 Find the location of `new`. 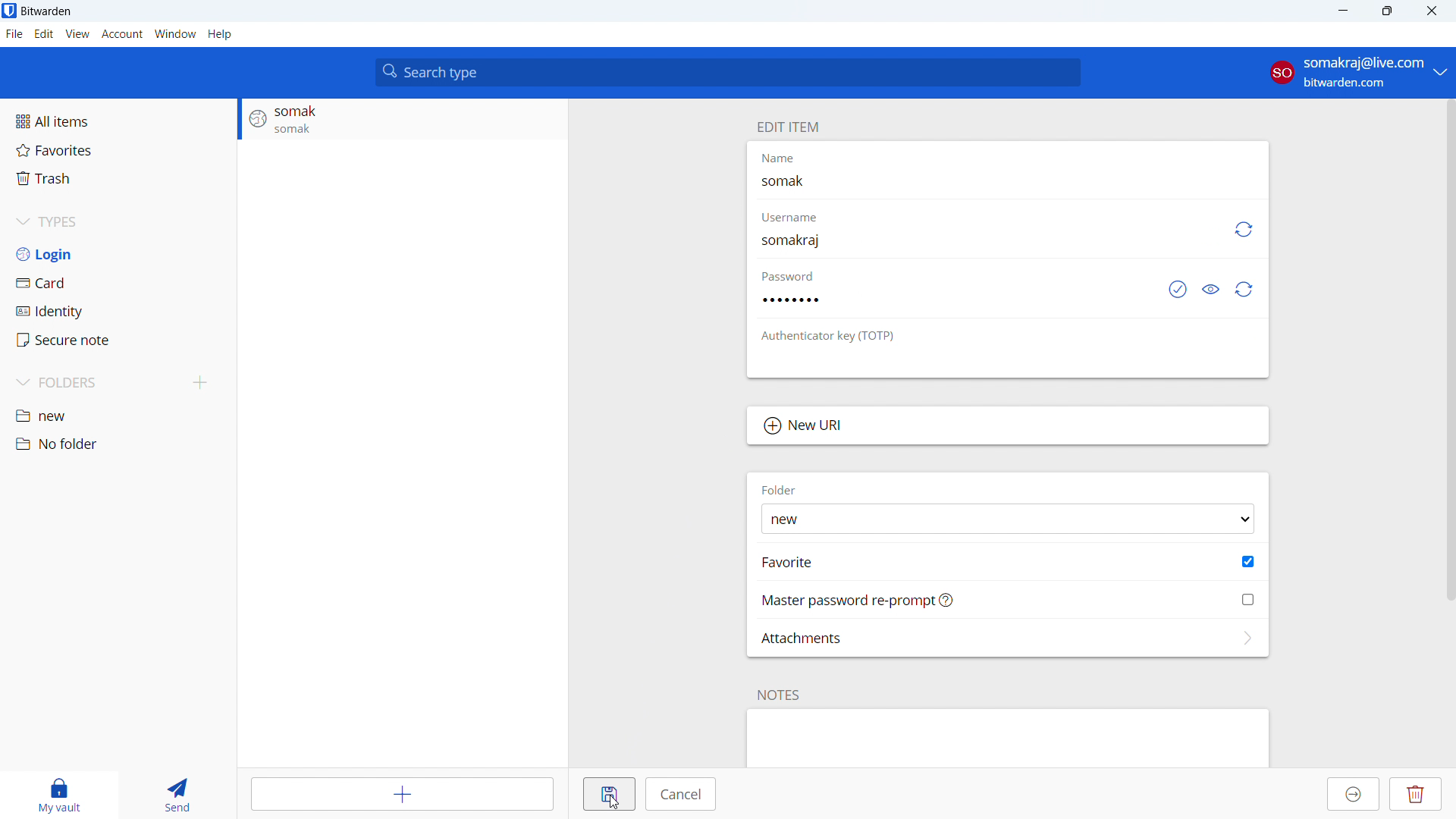

new is located at coordinates (118, 415).